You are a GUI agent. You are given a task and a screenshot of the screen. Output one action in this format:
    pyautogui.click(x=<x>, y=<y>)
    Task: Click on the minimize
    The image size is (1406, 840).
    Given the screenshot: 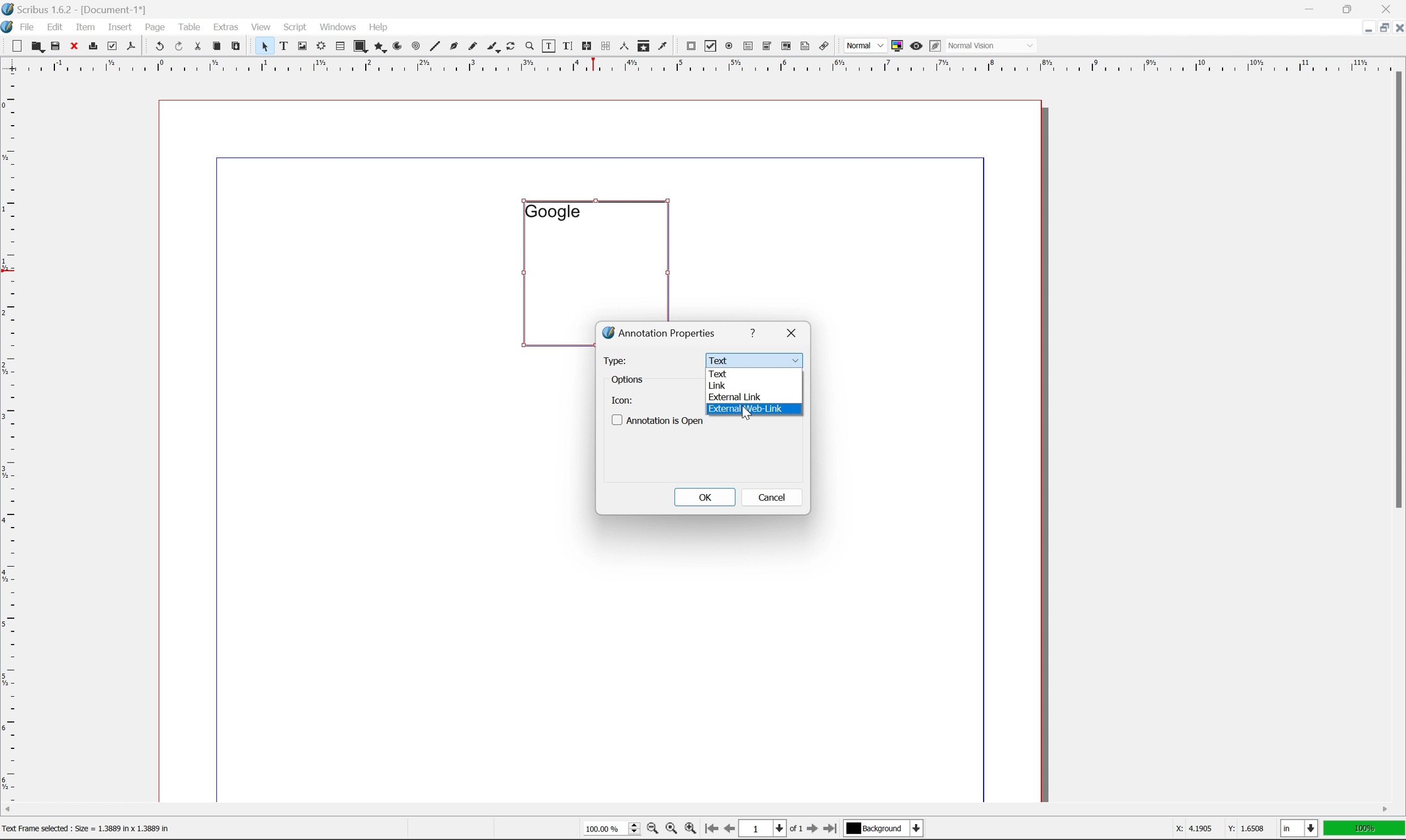 What is the action you would take?
    pyautogui.click(x=1311, y=8)
    